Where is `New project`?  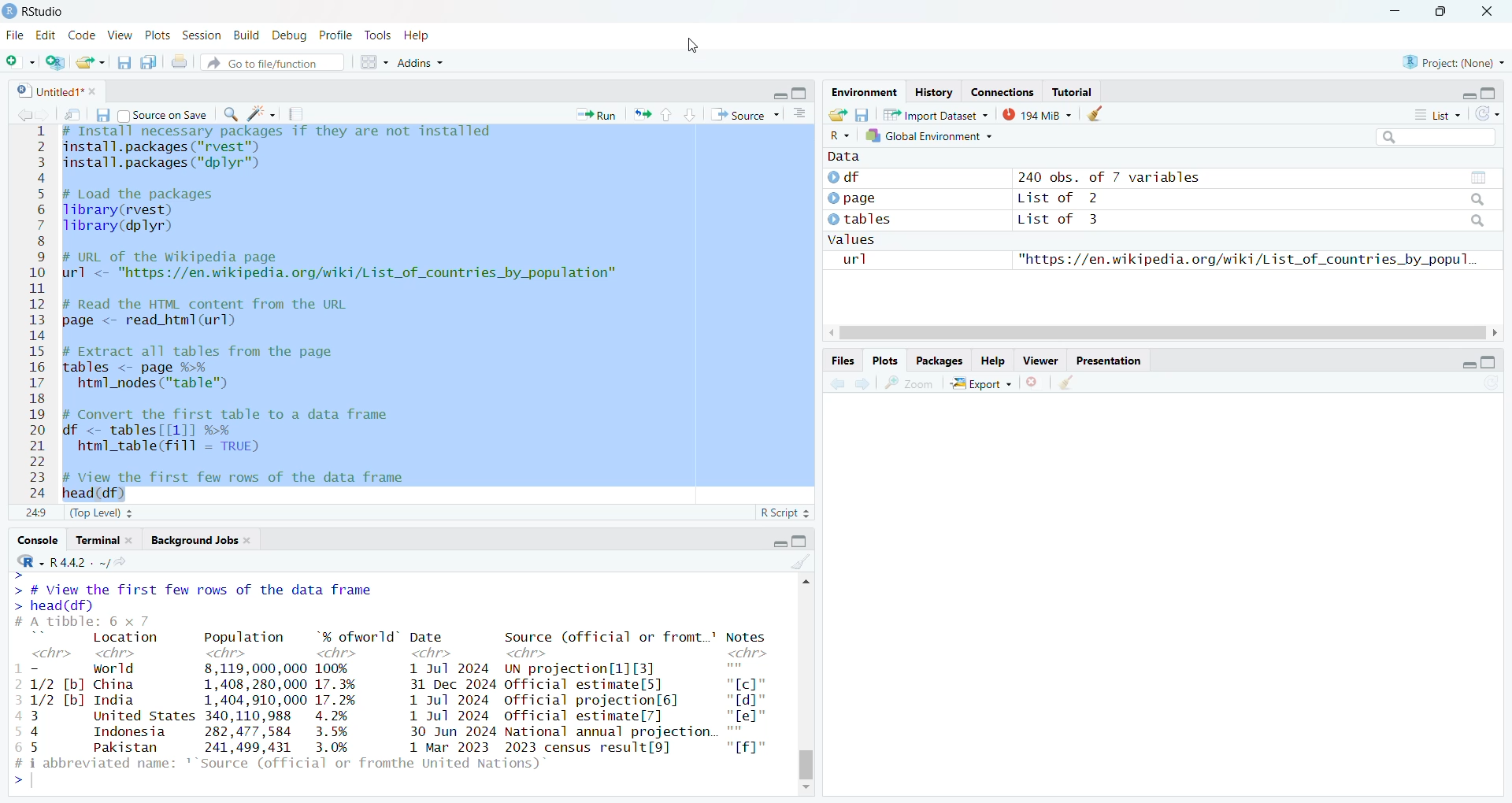 New project is located at coordinates (56, 62).